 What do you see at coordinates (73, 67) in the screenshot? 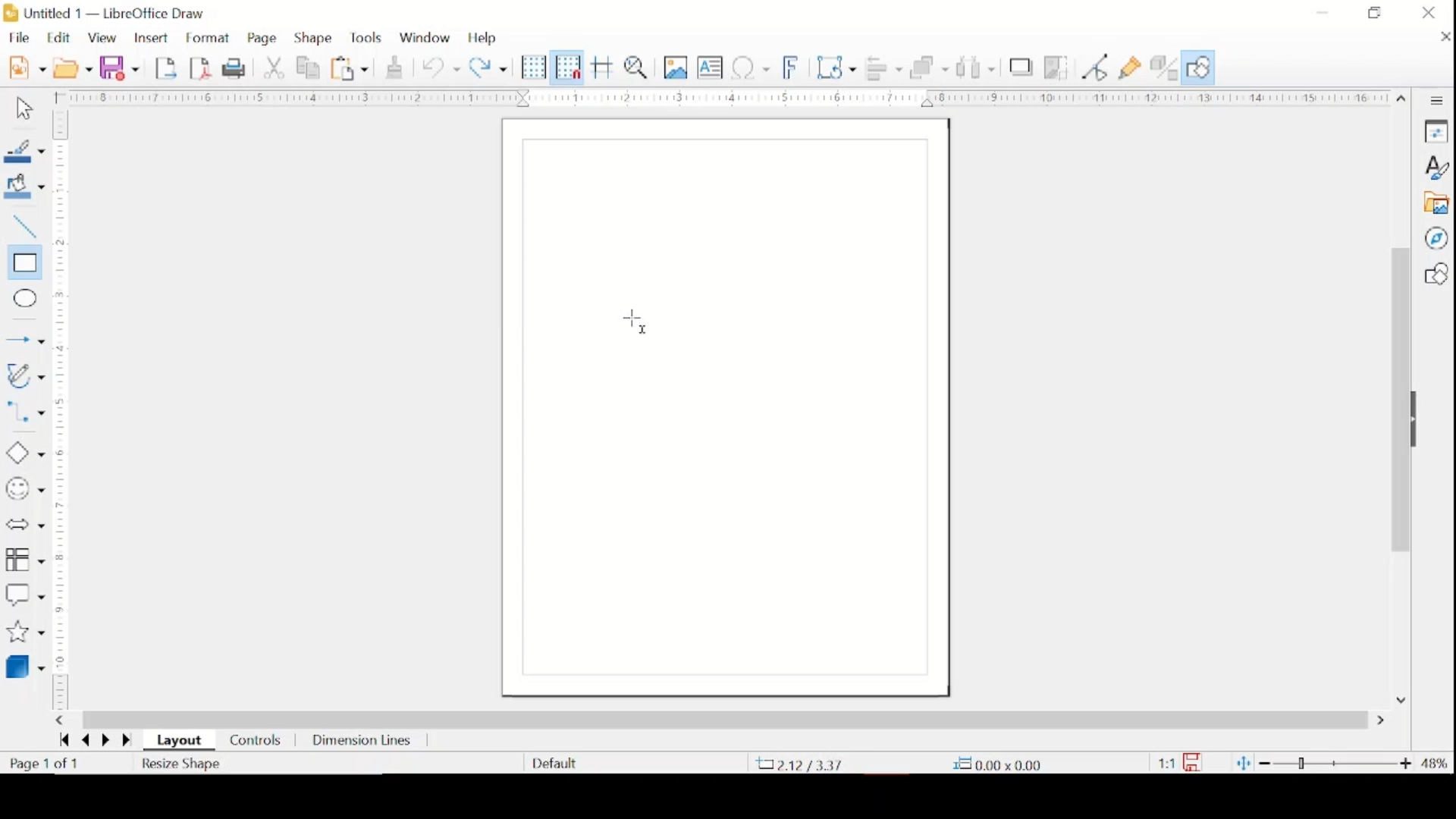
I see `open` at bounding box center [73, 67].